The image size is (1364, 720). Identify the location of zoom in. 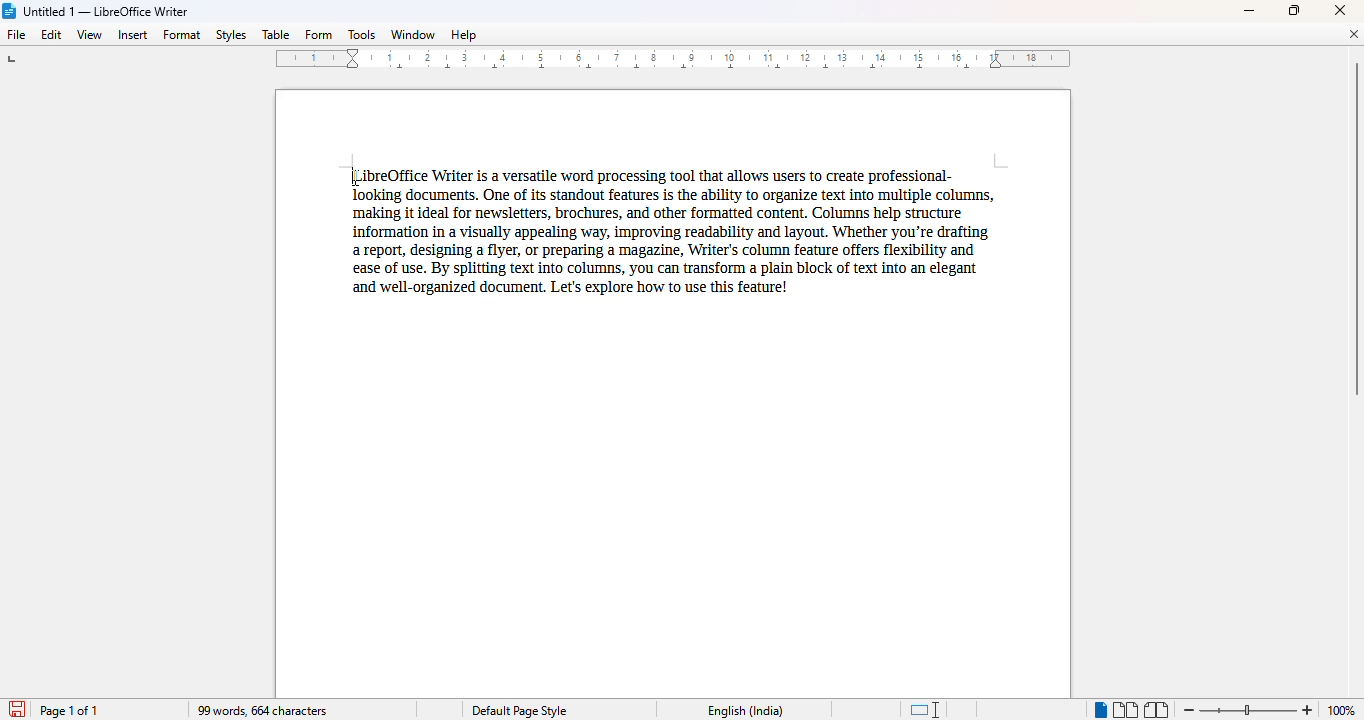
(1309, 710).